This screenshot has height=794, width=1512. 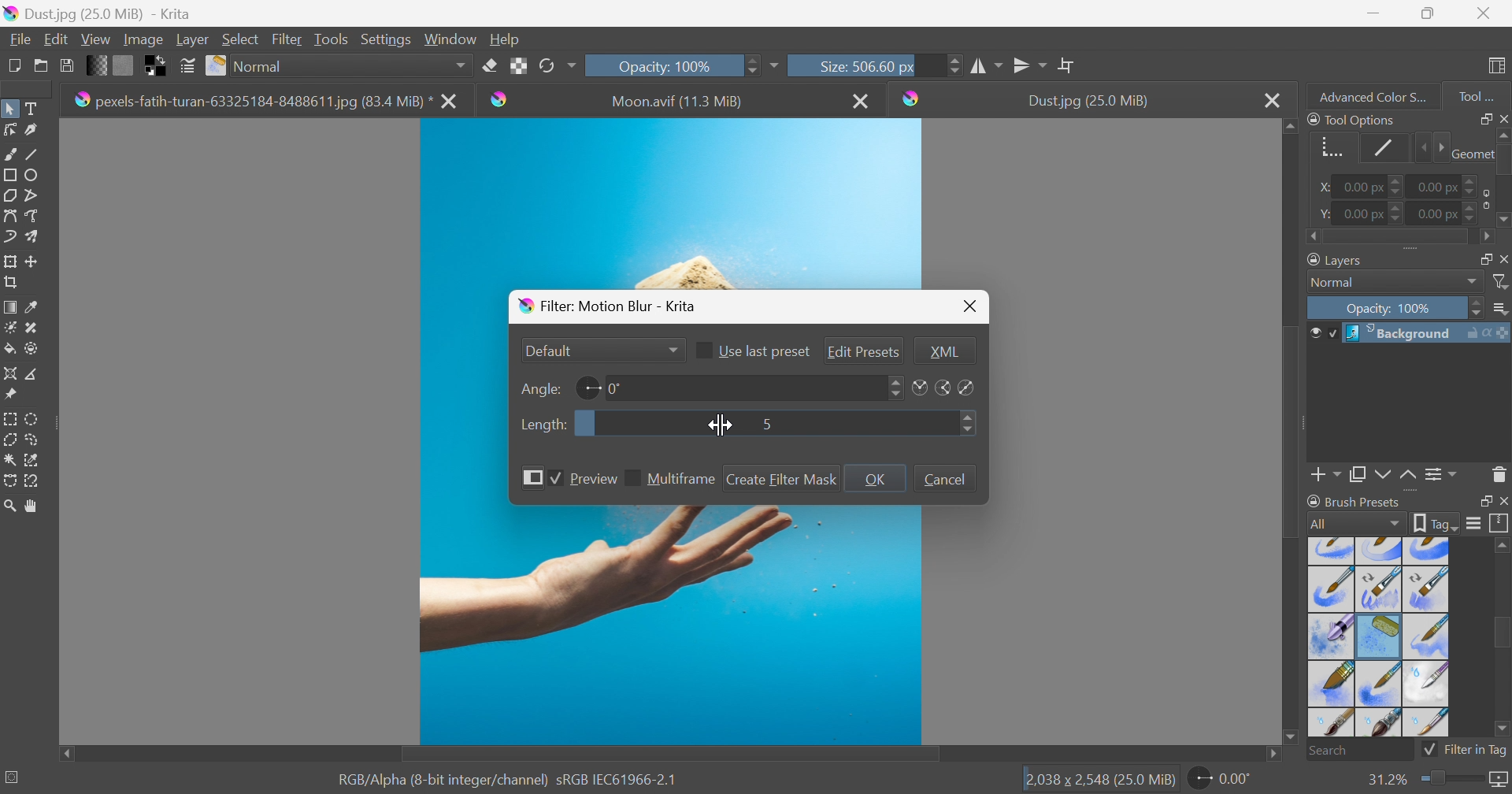 I want to click on Select, so click(x=241, y=39).